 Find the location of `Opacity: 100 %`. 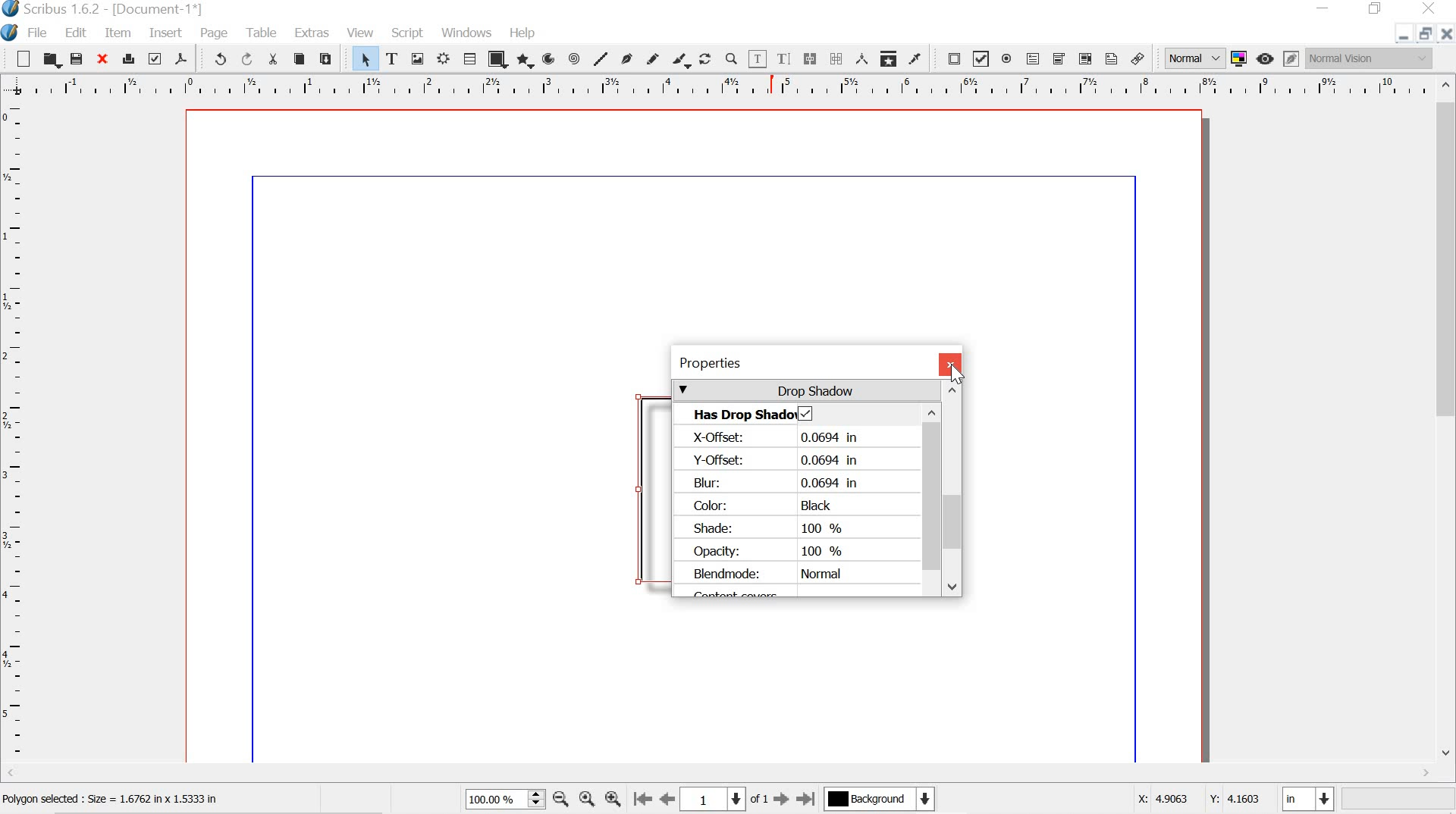

Opacity: 100 % is located at coordinates (770, 550).